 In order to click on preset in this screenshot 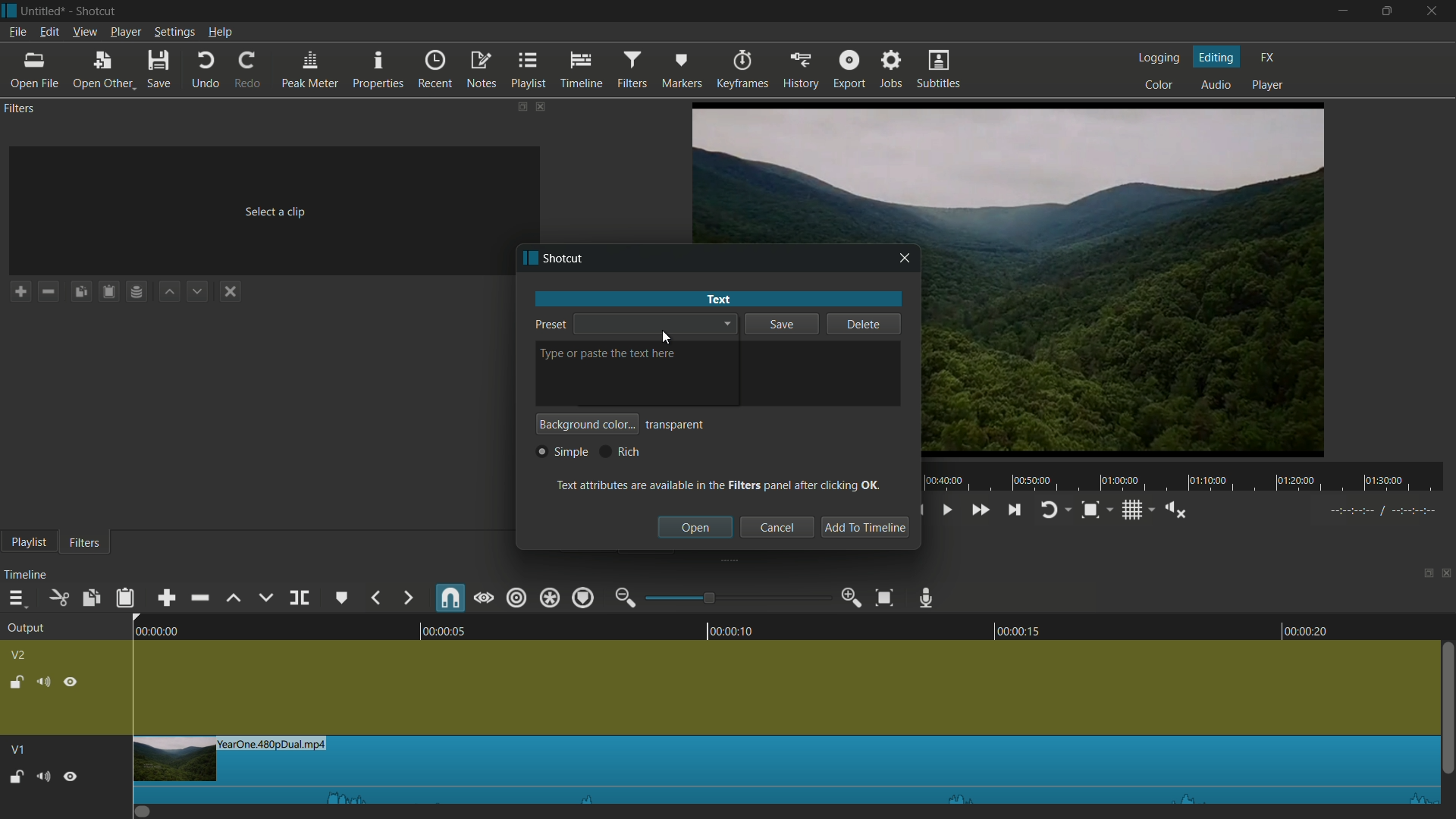, I will do `click(548, 324)`.